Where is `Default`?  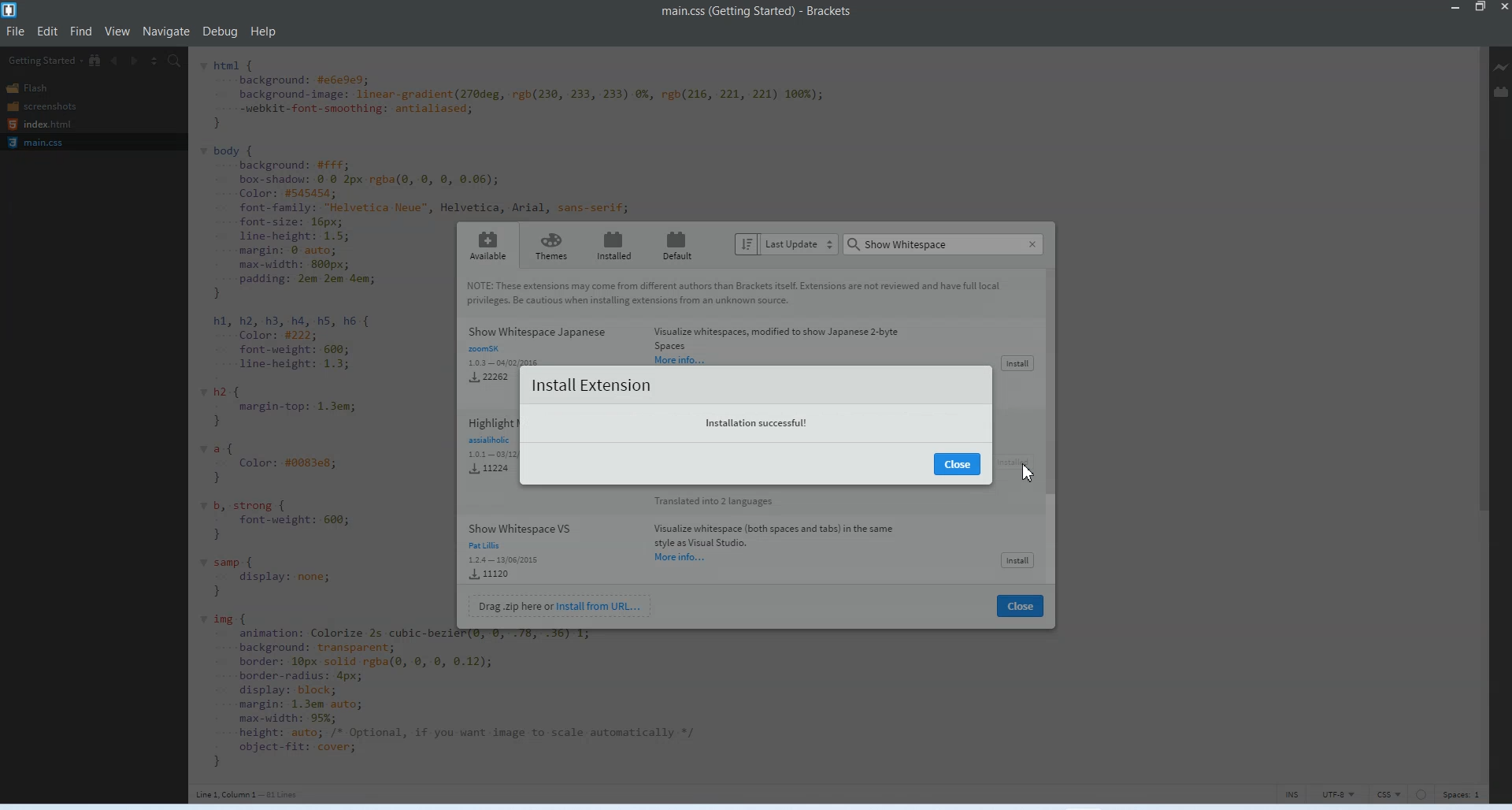 Default is located at coordinates (680, 244).